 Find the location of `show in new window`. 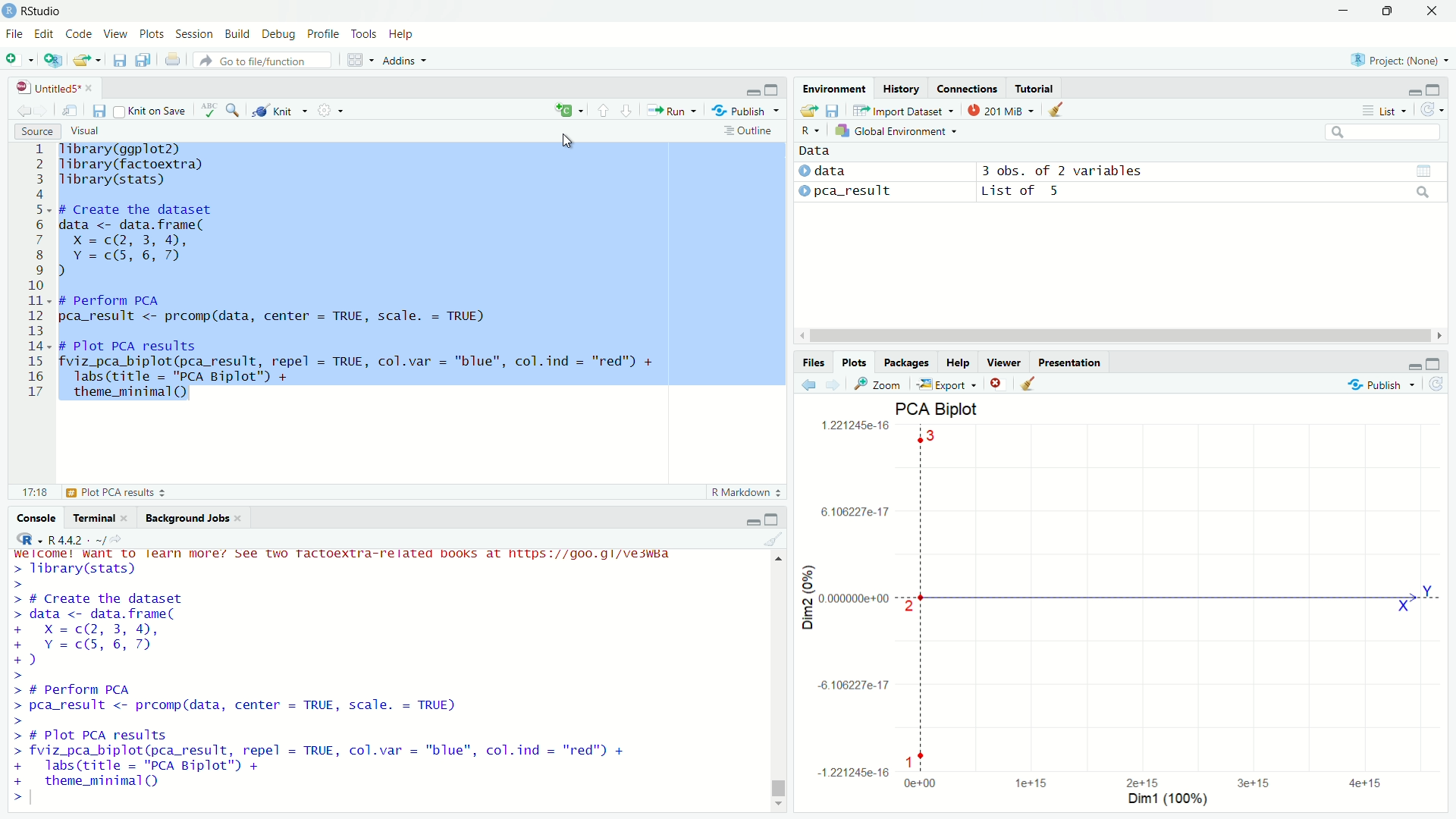

show in new window is located at coordinates (71, 111).